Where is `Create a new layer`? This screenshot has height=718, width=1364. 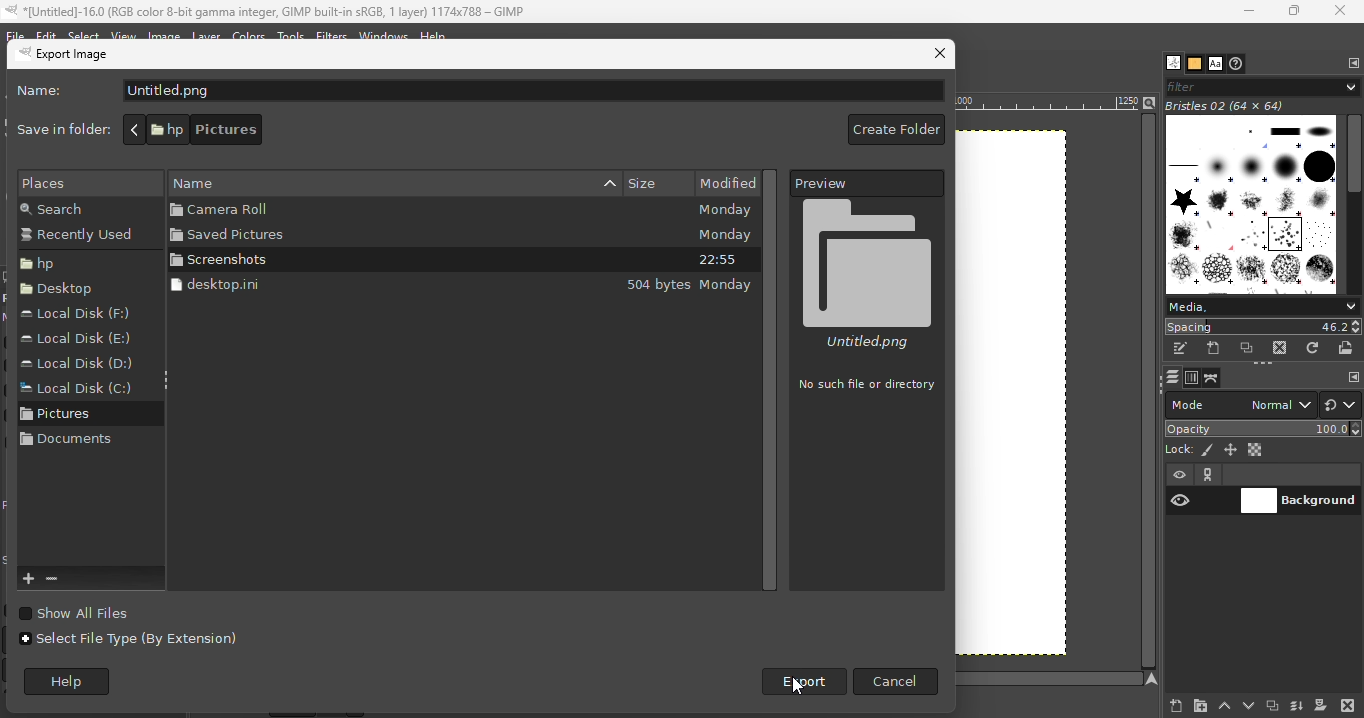
Create a new layer is located at coordinates (1166, 705).